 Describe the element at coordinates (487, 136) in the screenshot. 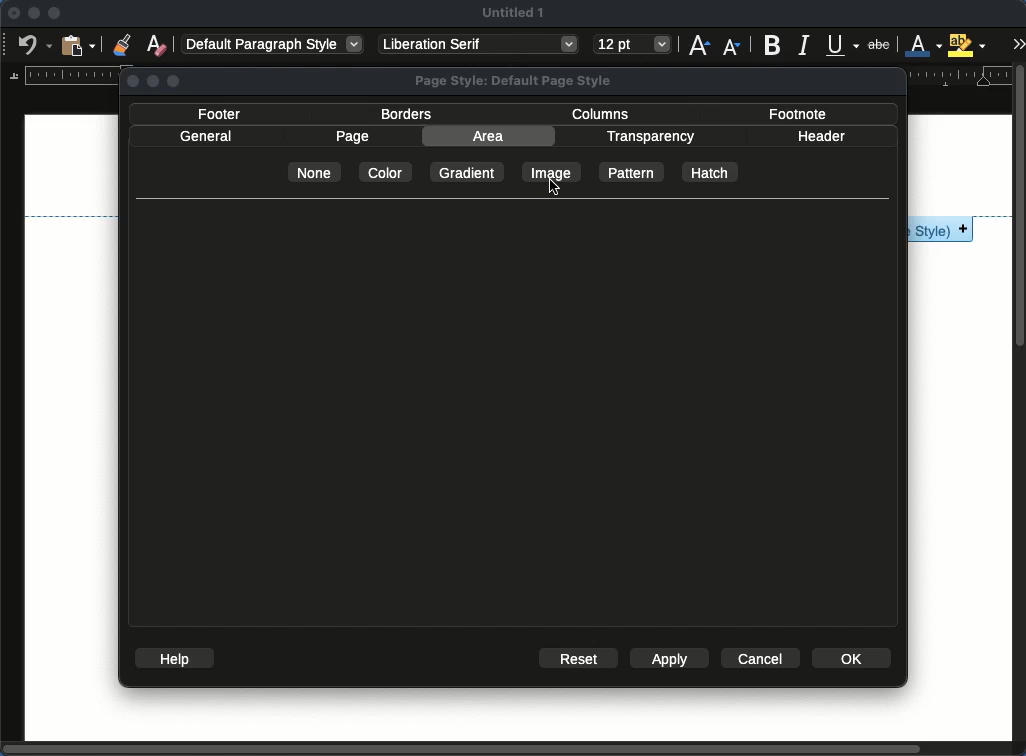

I see `area` at that location.